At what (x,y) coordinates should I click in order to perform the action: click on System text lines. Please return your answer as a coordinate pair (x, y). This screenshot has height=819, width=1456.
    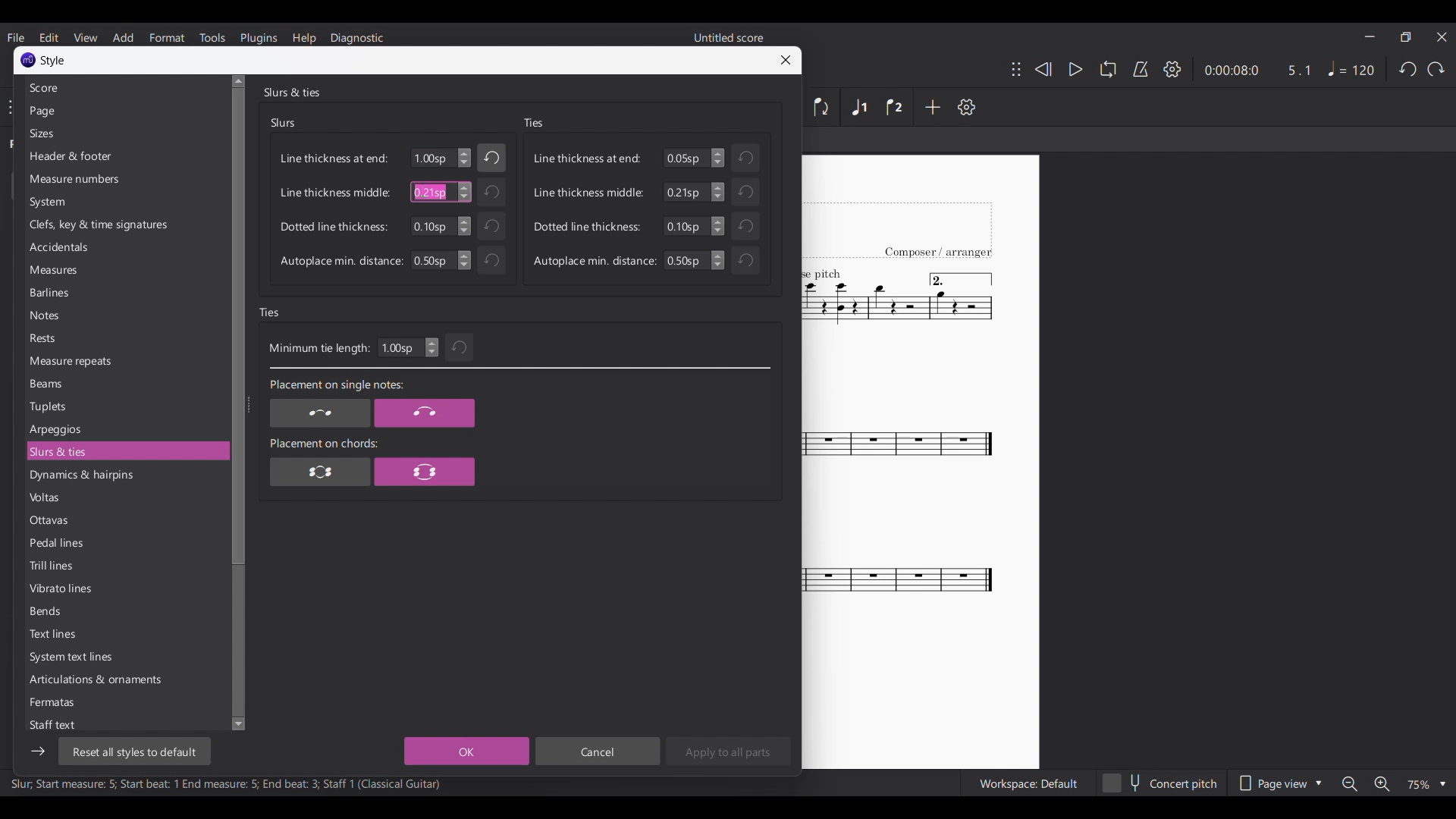
    Looking at the image, I should click on (125, 657).